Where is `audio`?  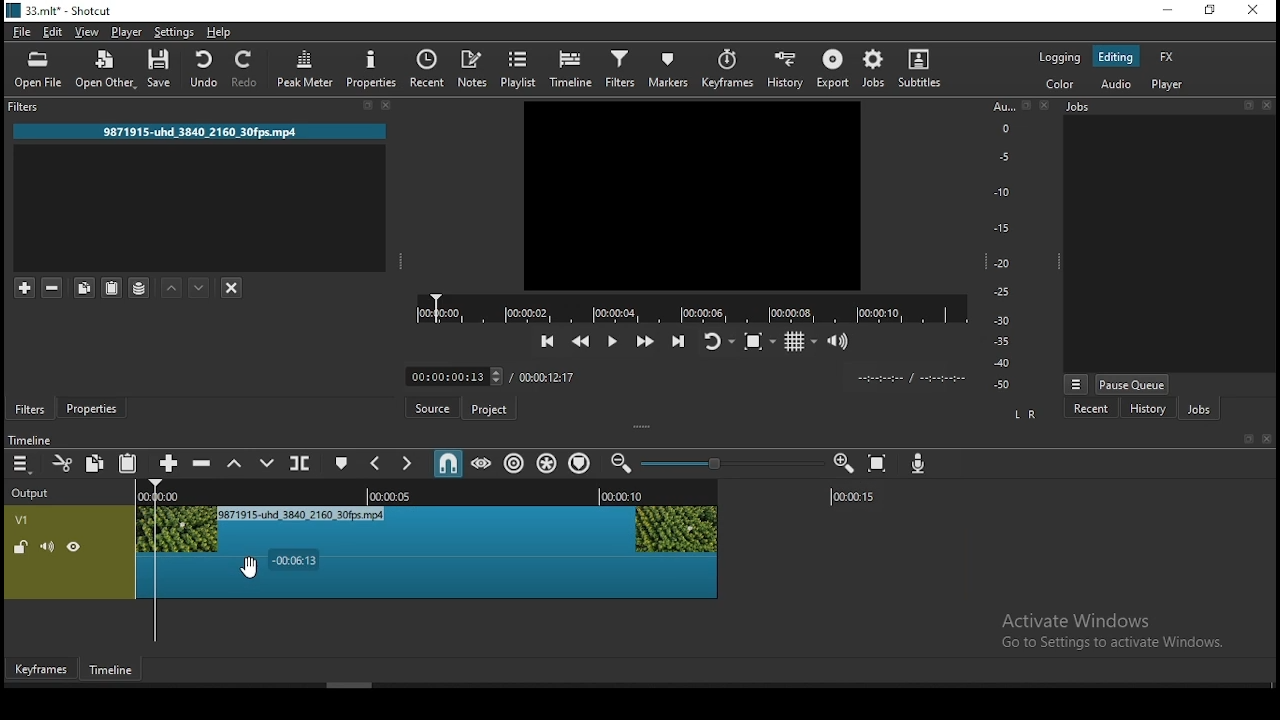
audio is located at coordinates (1117, 84).